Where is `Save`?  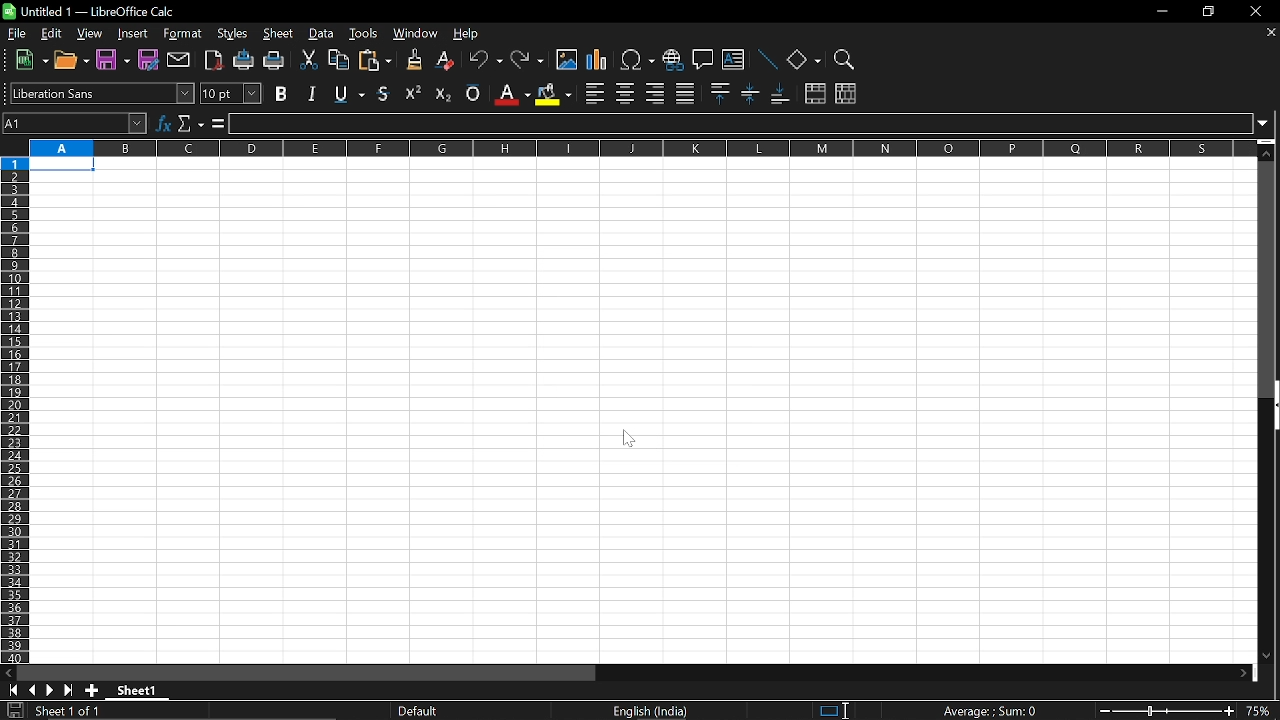
Save is located at coordinates (111, 61).